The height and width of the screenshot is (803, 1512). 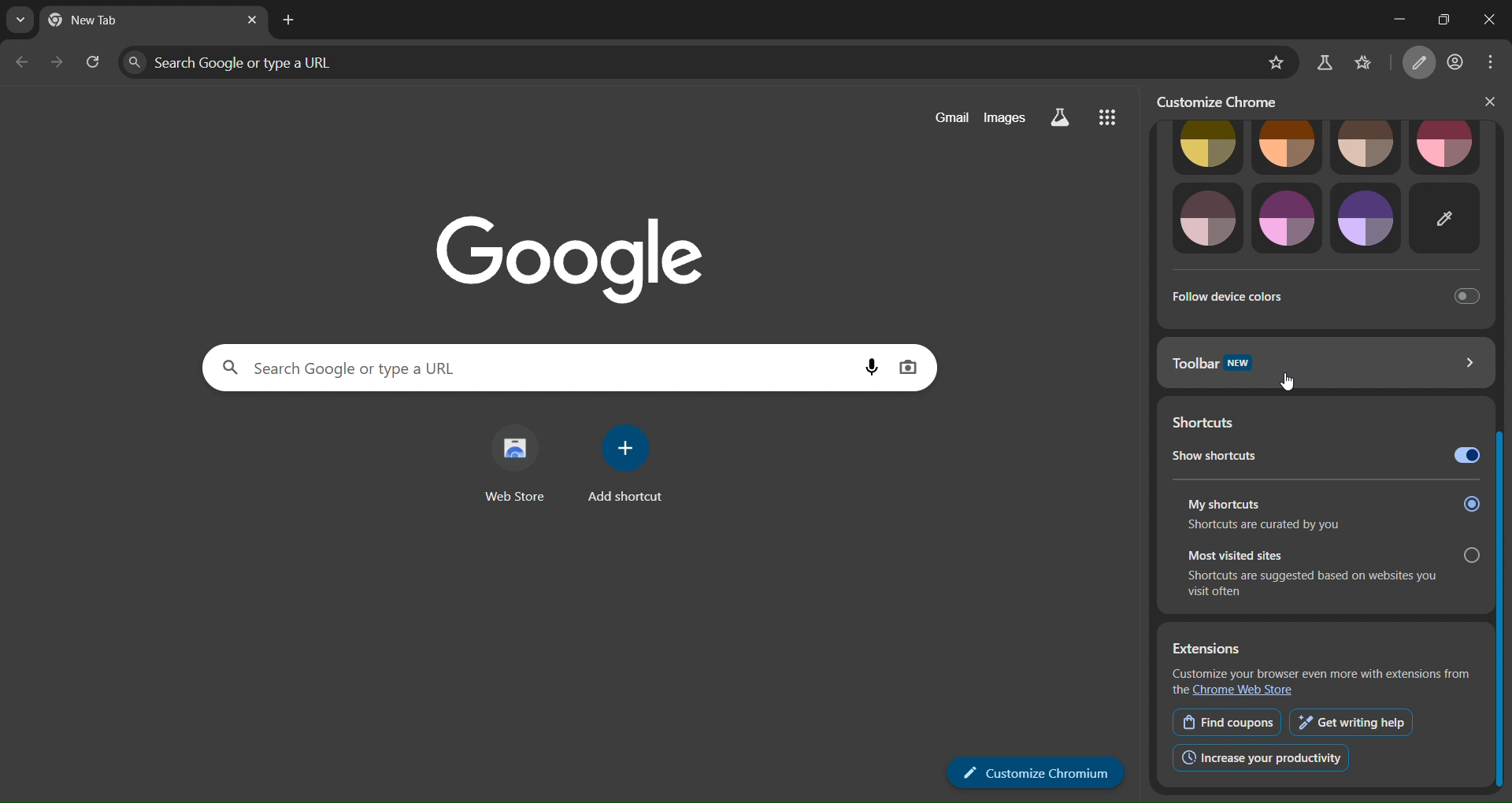 What do you see at coordinates (1464, 457) in the screenshot?
I see `toggle` at bounding box center [1464, 457].